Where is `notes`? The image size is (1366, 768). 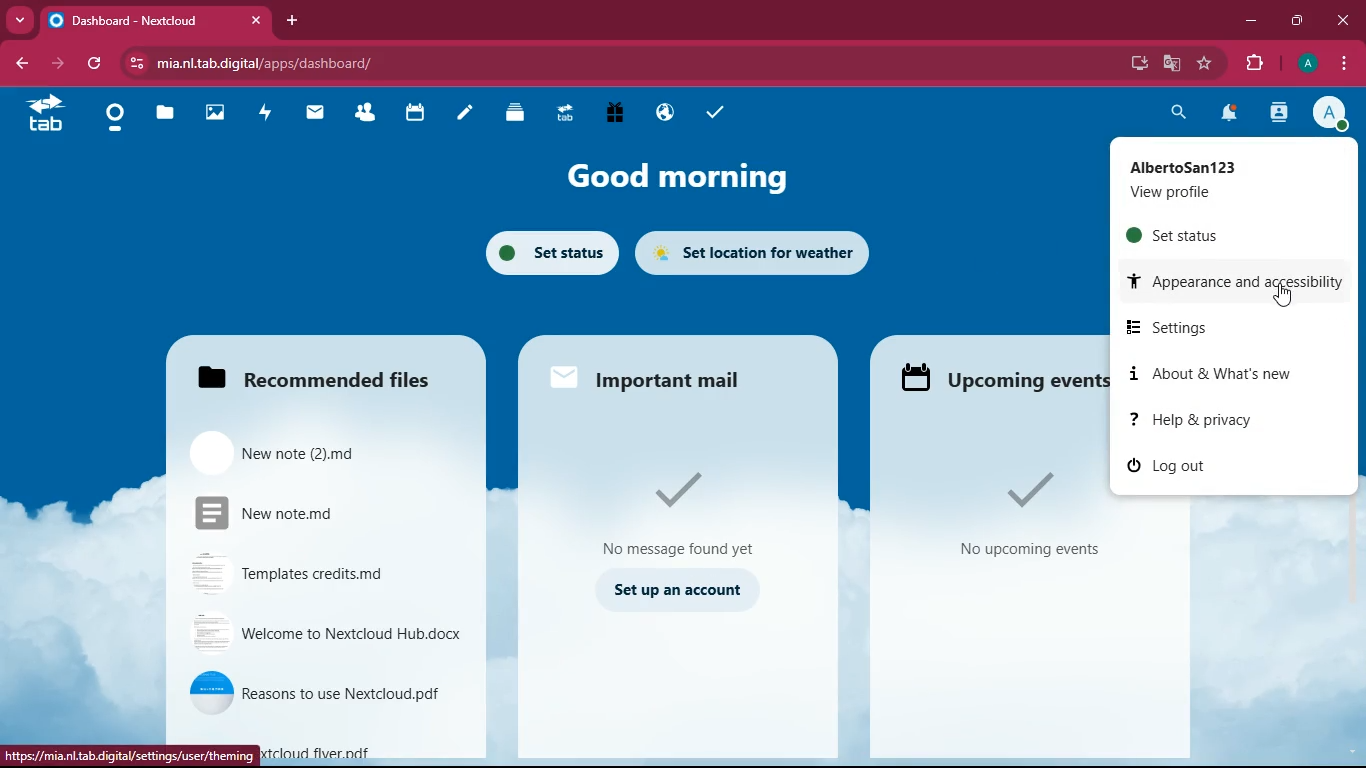 notes is located at coordinates (461, 115).